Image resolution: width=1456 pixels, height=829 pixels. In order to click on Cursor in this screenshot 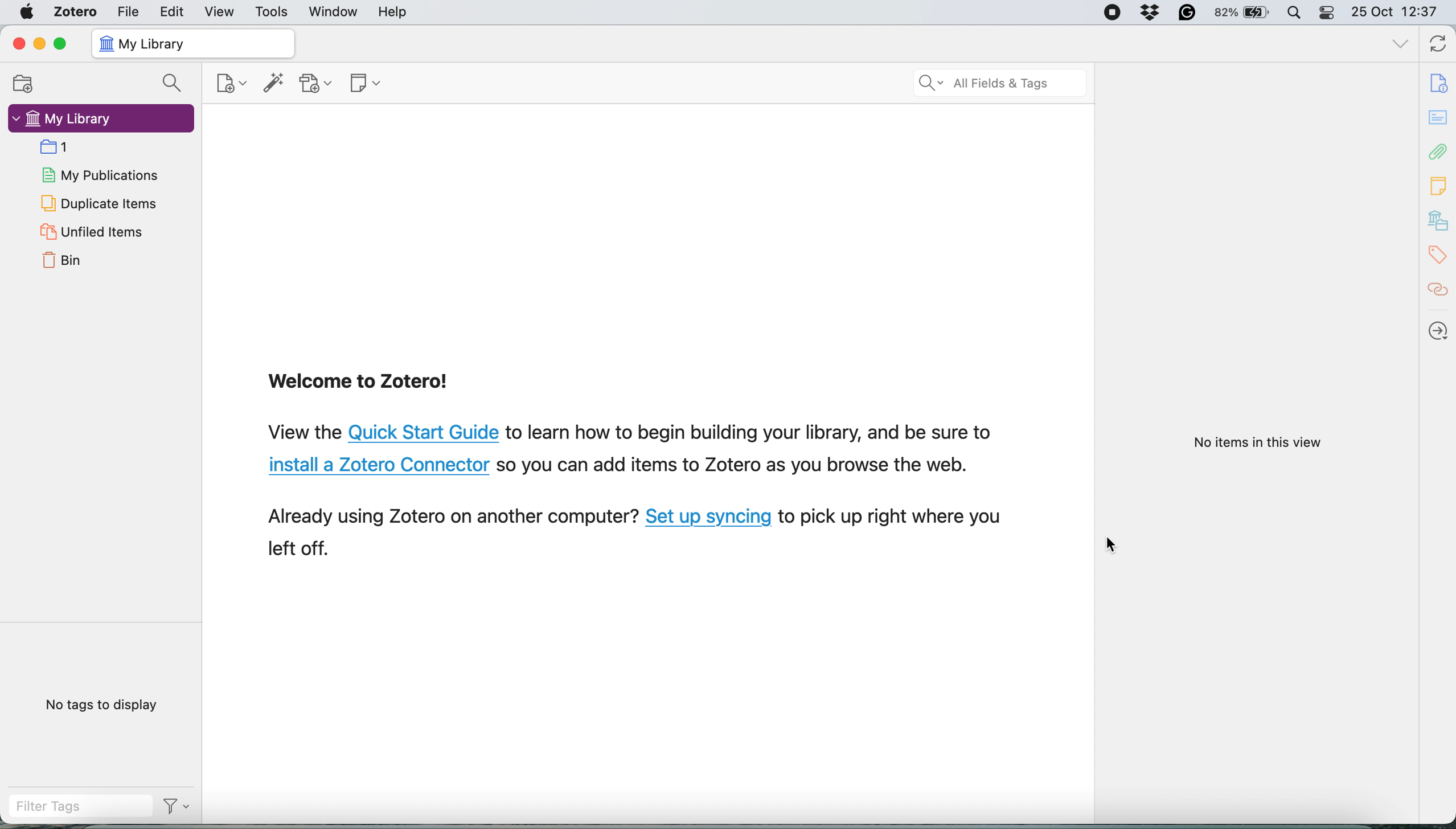, I will do `click(1112, 544)`.